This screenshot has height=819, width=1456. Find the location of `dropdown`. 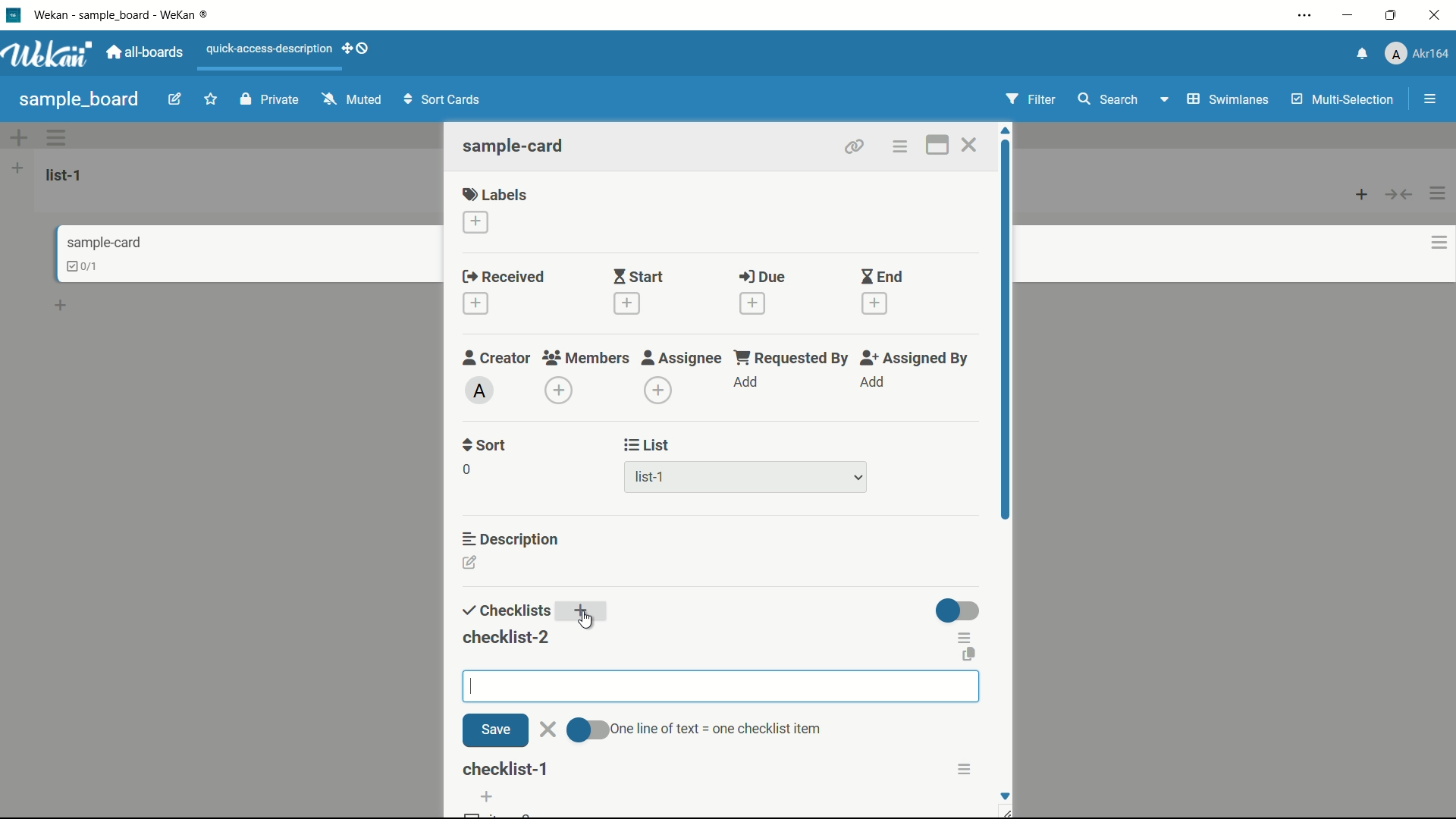

dropdown is located at coordinates (858, 479).